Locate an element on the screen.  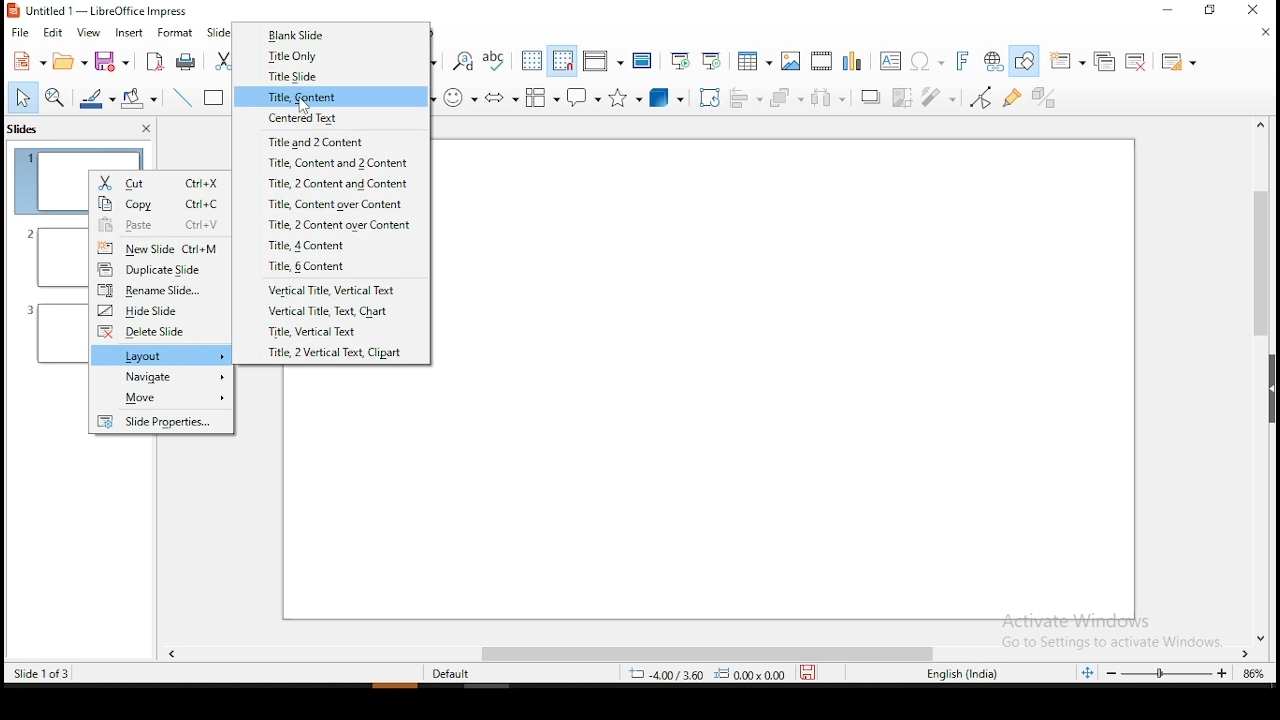
default is located at coordinates (456, 674).